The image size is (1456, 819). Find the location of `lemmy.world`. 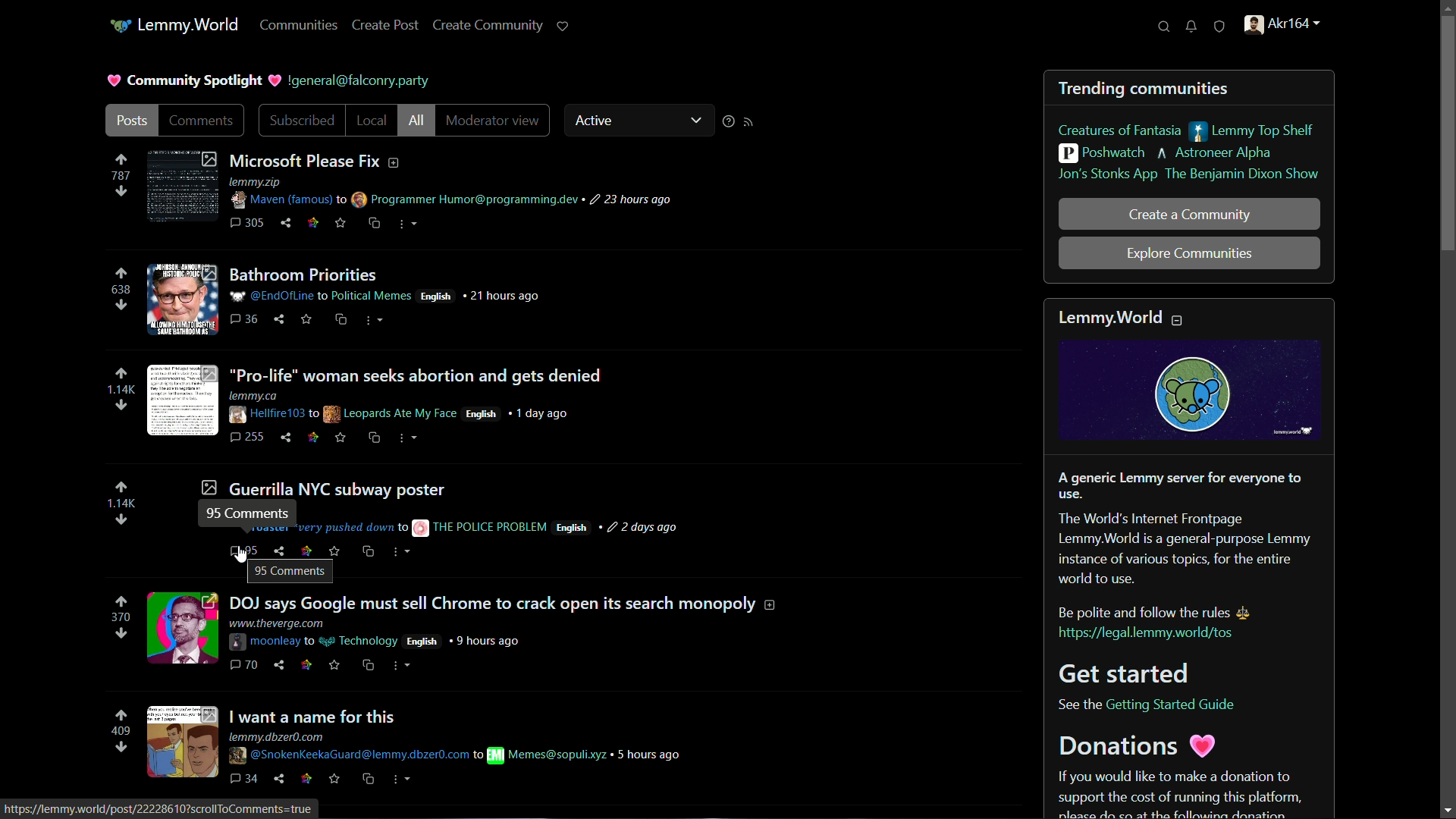

lemmy.world is located at coordinates (1125, 315).